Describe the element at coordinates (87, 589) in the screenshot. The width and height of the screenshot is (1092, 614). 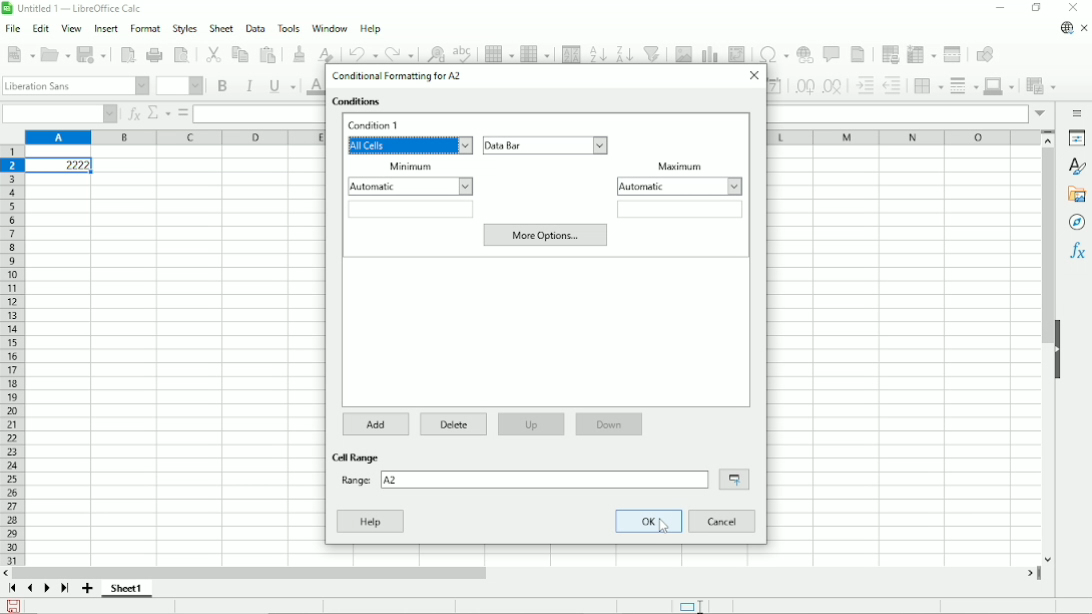
I see `Add sheet` at that location.